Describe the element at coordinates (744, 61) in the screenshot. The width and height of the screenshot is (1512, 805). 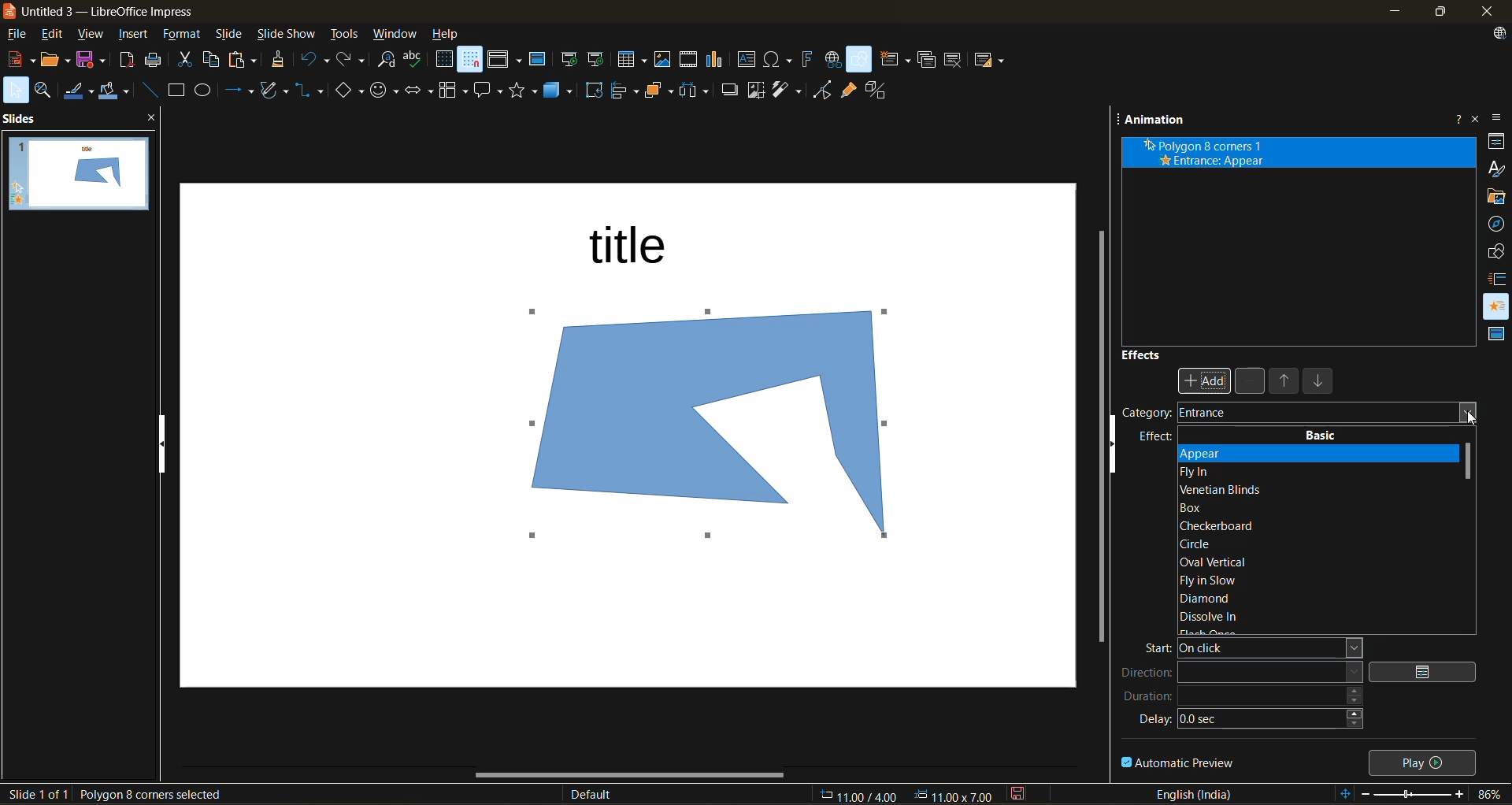
I see `insert textbox` at that location.